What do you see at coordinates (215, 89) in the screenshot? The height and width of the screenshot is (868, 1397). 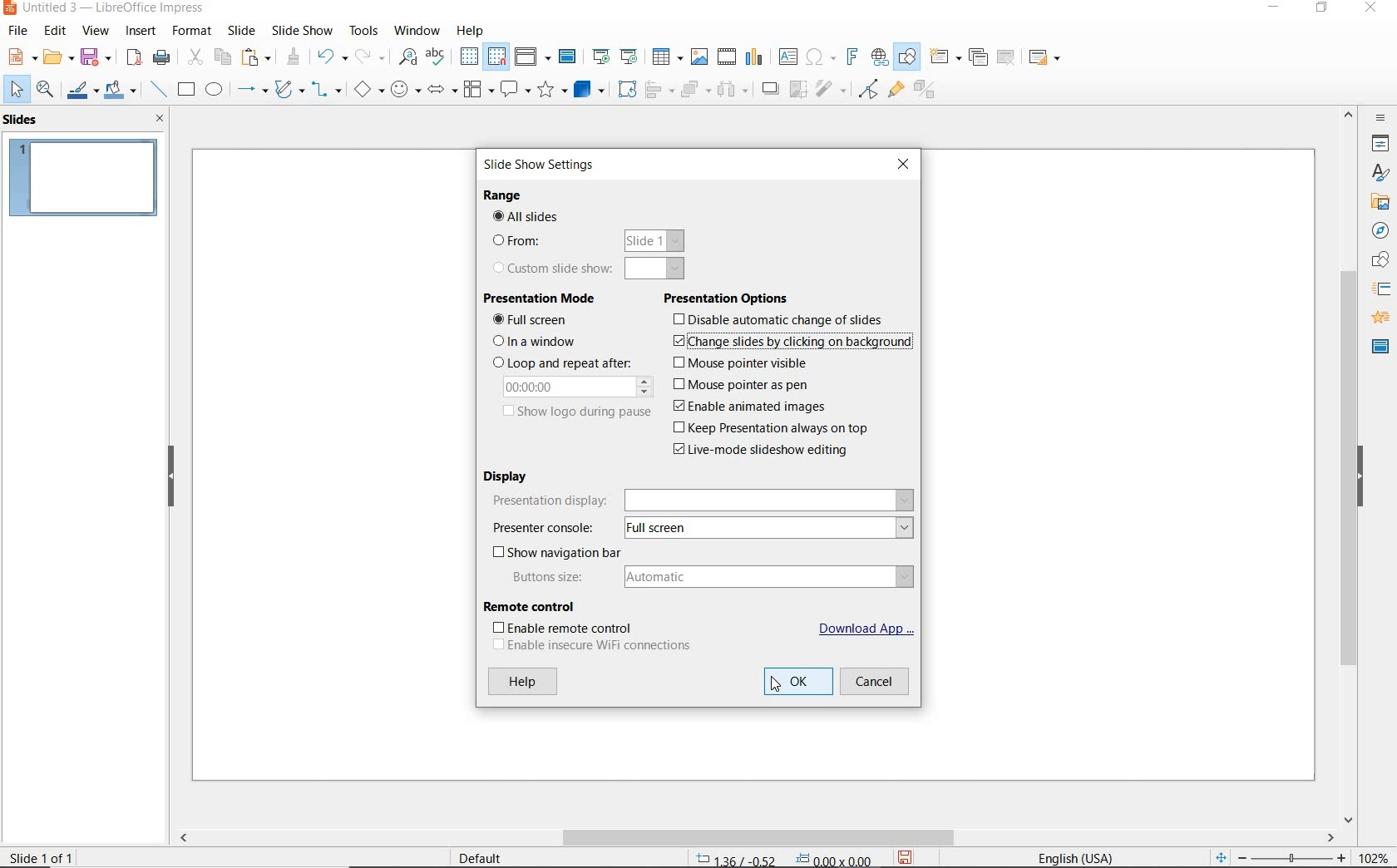 I see `ELLIPSE` at bounding box center [215, 89].